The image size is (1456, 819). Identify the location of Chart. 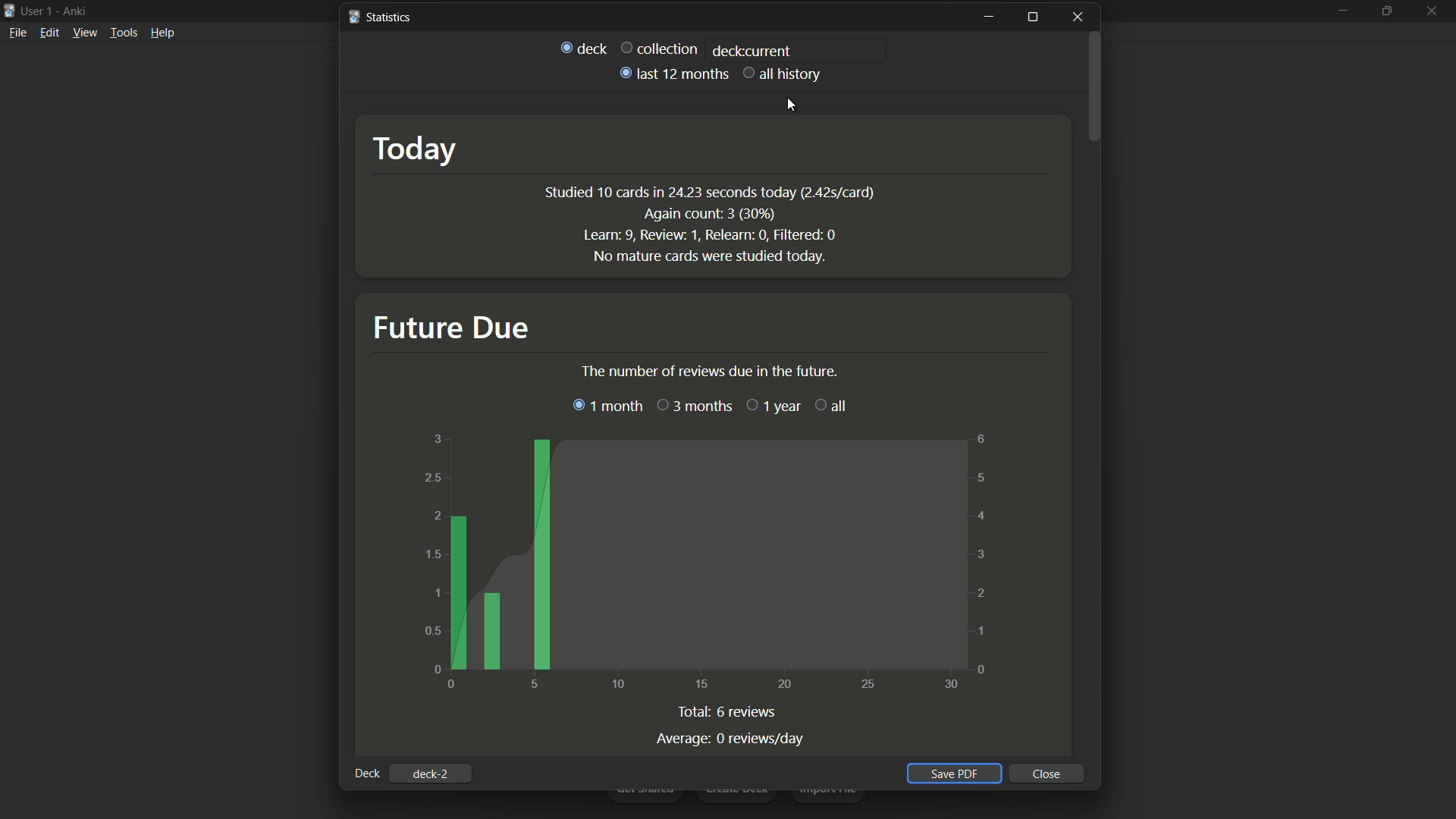
(706, 563).